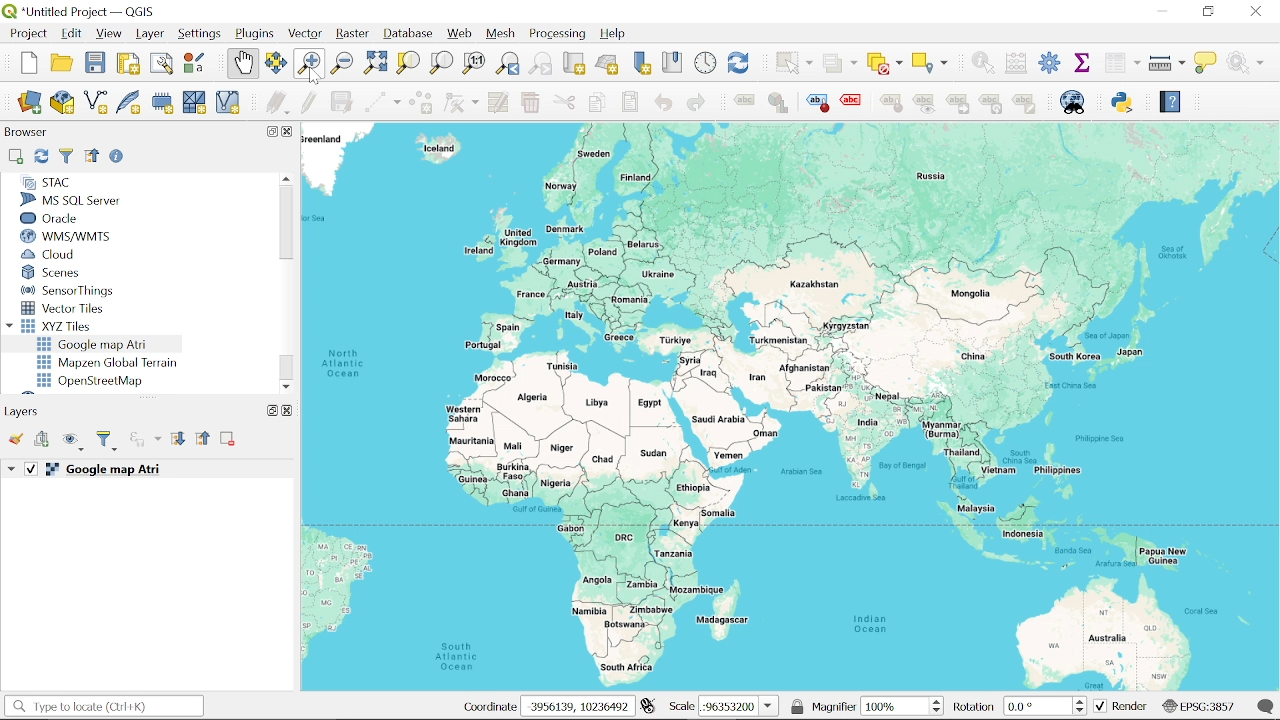 This screenshot has width=1280, height=720. Describe the element at coordinates (560, 34) in the screenshot. I see `Processing` at that location.